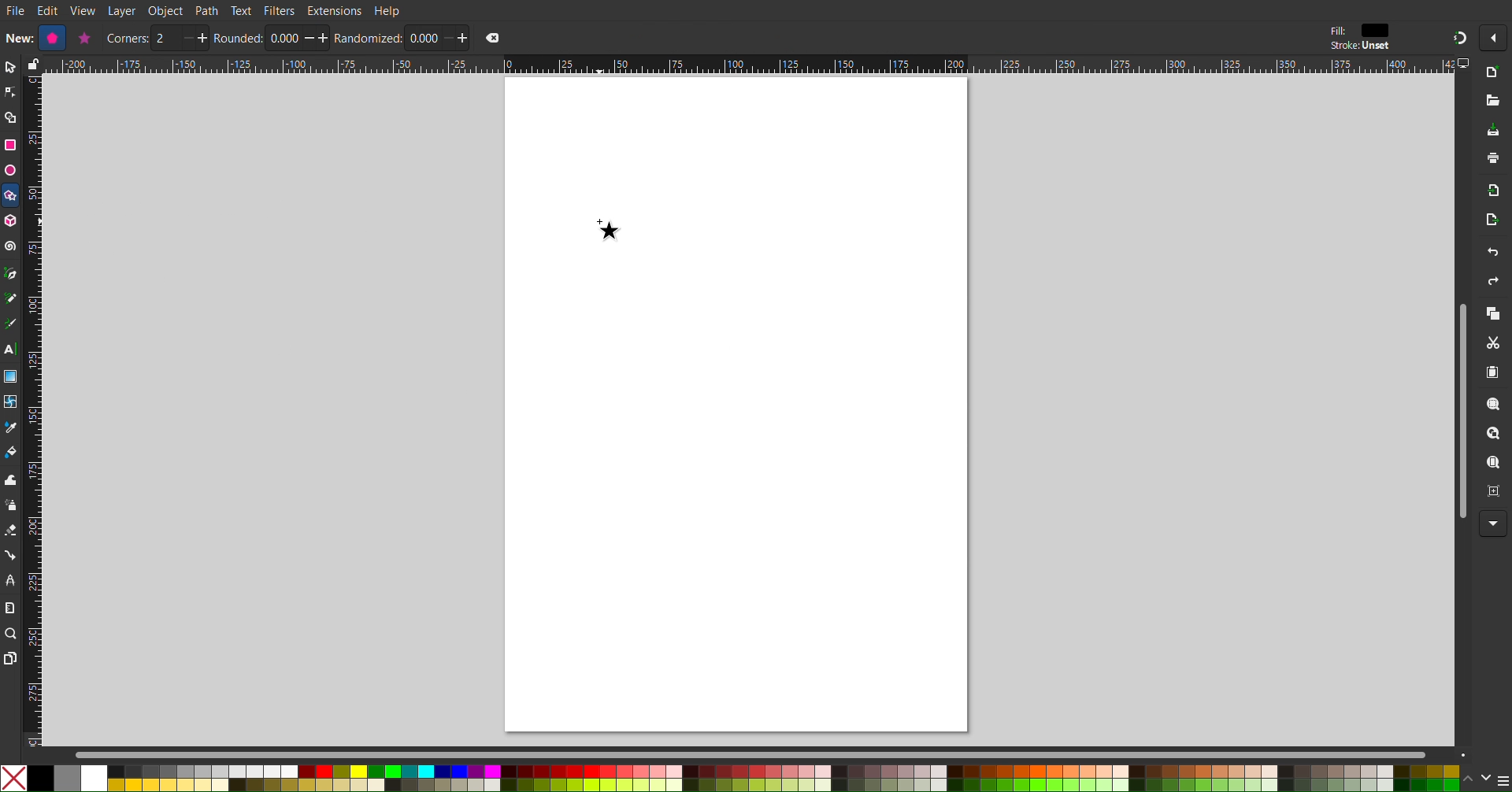 The width and height of the screenshot is (1512, 792). Describe the element at coordinates (11, 479) in the screenshot. I see `Tweak Tool` at that location.